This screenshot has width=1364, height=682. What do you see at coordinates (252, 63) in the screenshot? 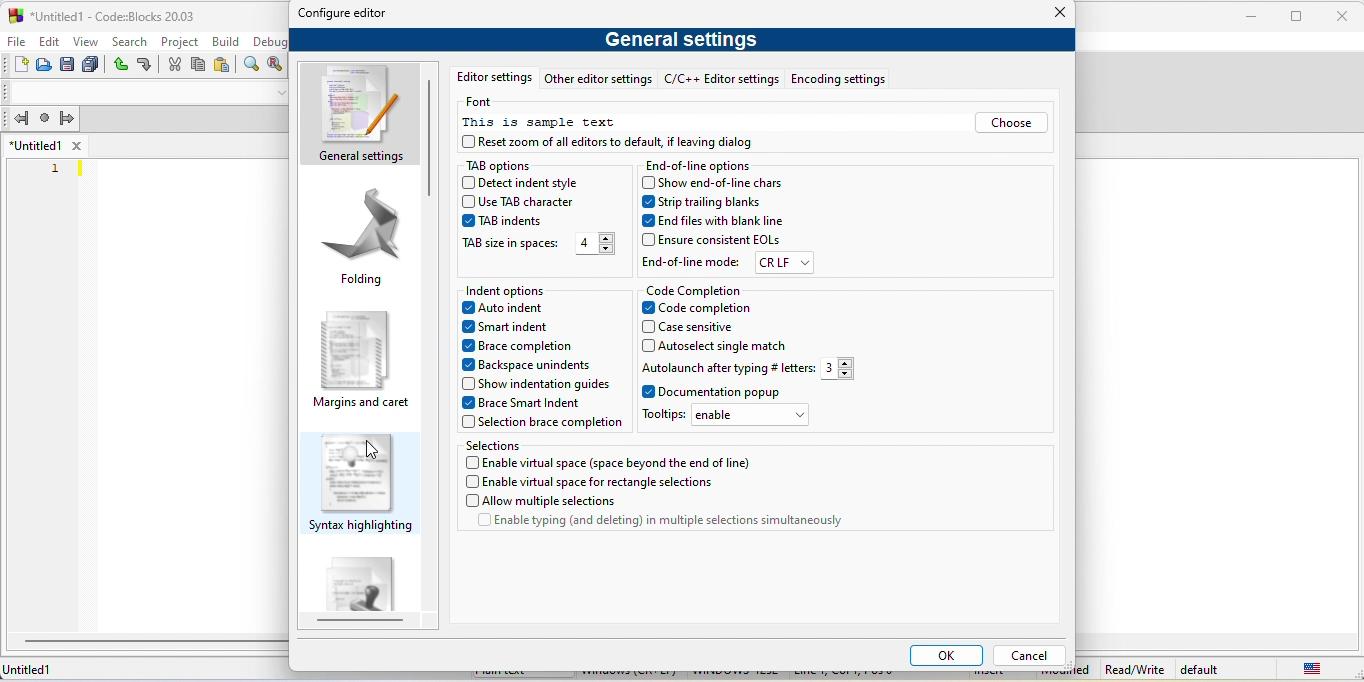
I see `find` at bounding box center [252, 63].